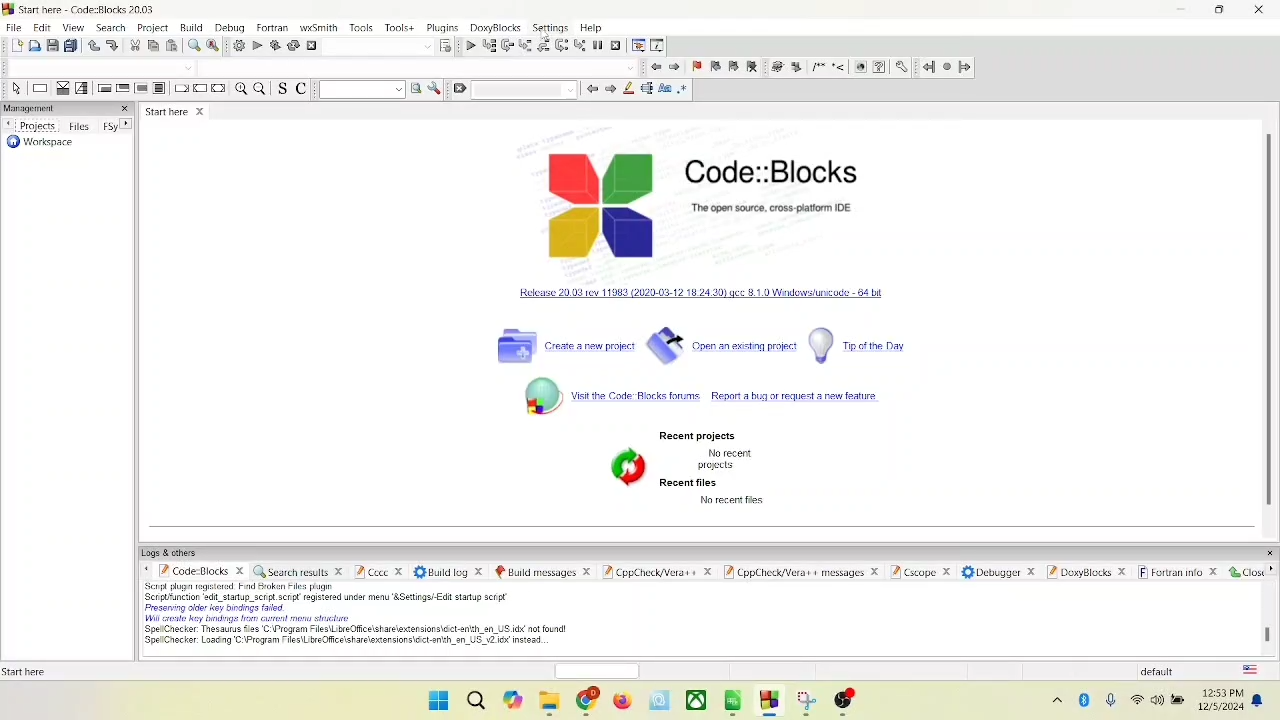  Describe the element at coordinates (165, 111) in the screenshot. I see `start here` at that location.